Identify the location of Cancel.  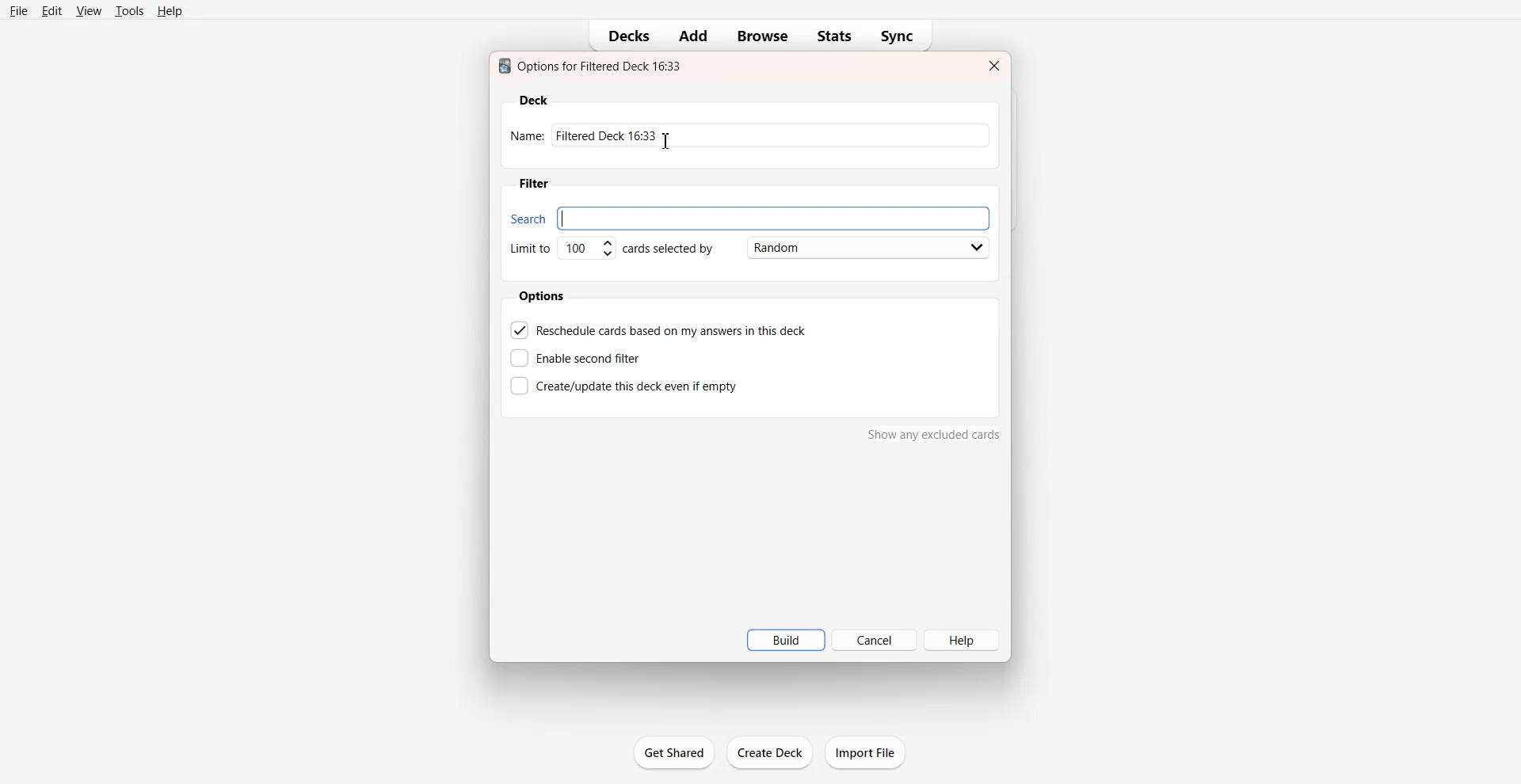
(874, 640).